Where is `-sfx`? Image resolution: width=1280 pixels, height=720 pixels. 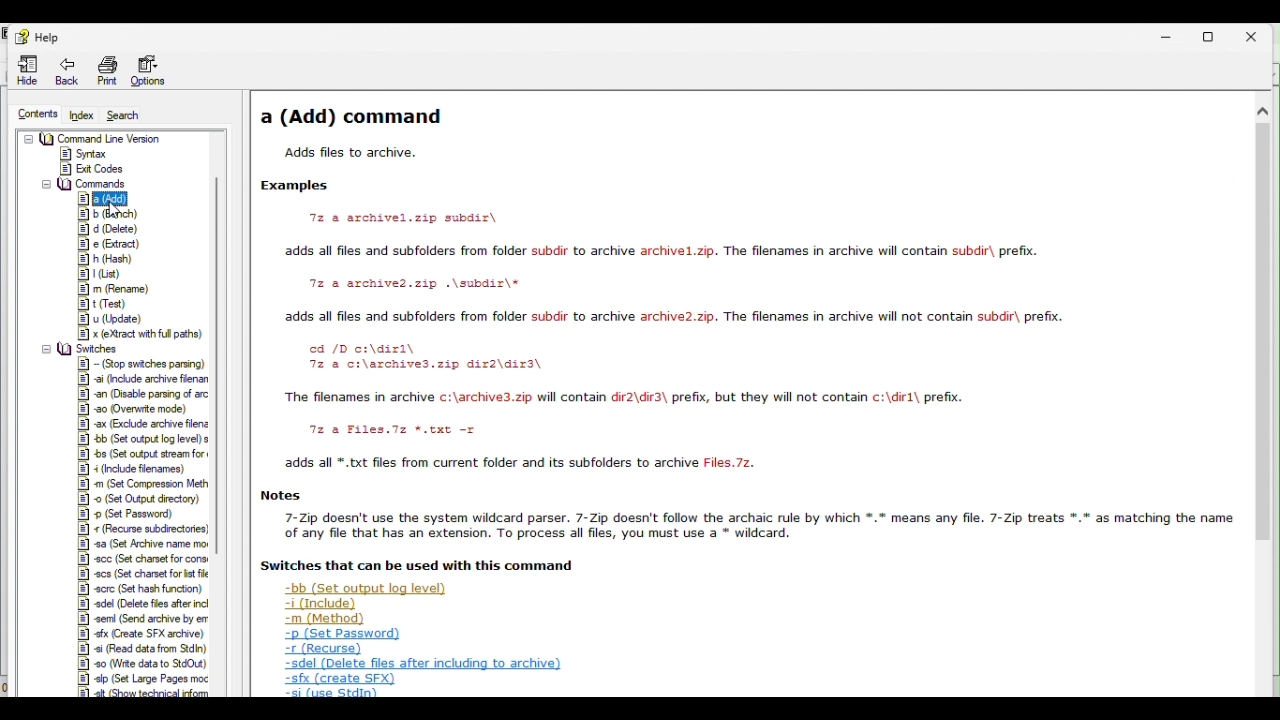 -sfx is located at coordinates (143, 633).